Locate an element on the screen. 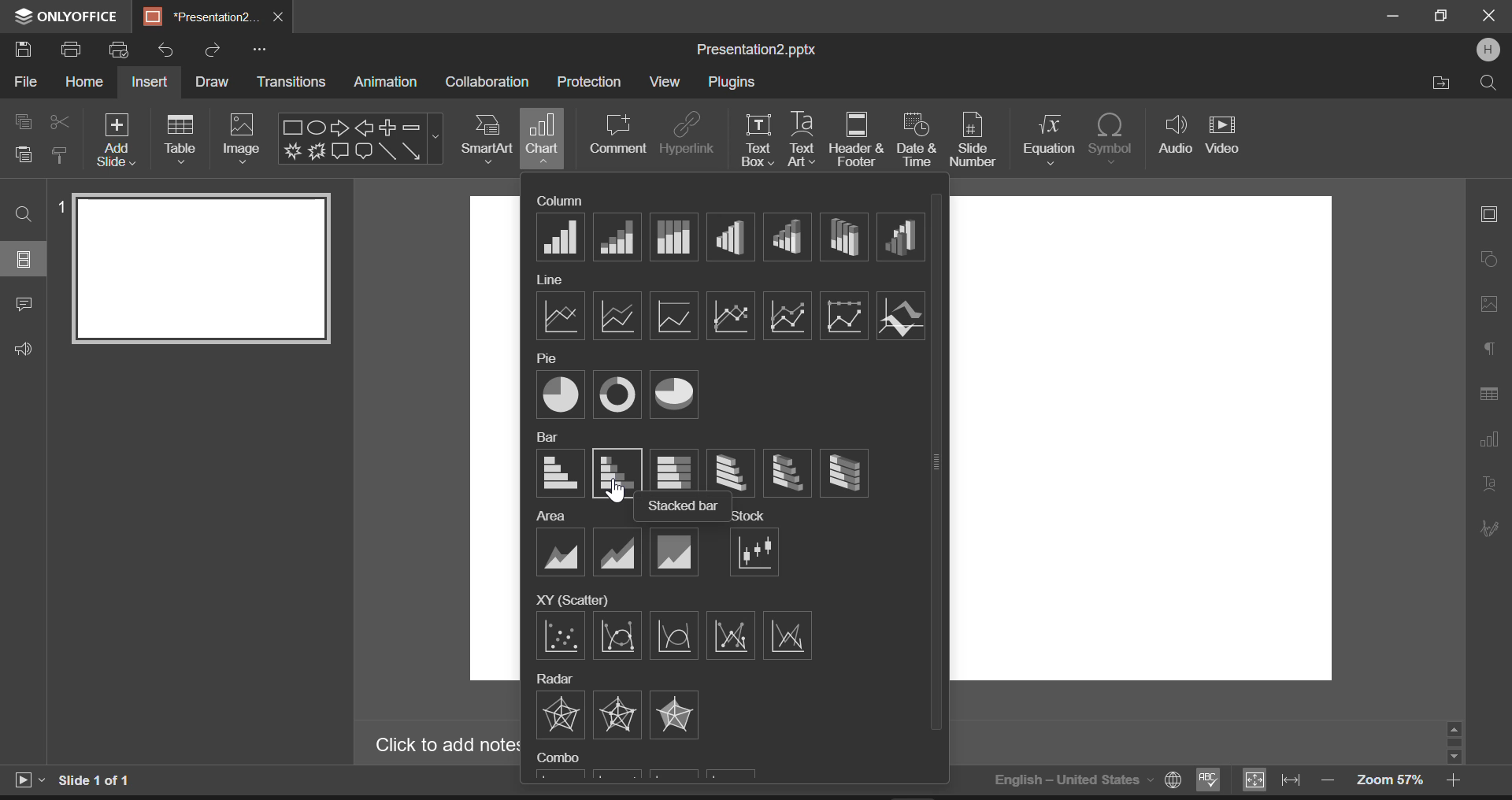 The height and width of the screenshot is (800, 1512). Redo is located at coordinates (213, 48).